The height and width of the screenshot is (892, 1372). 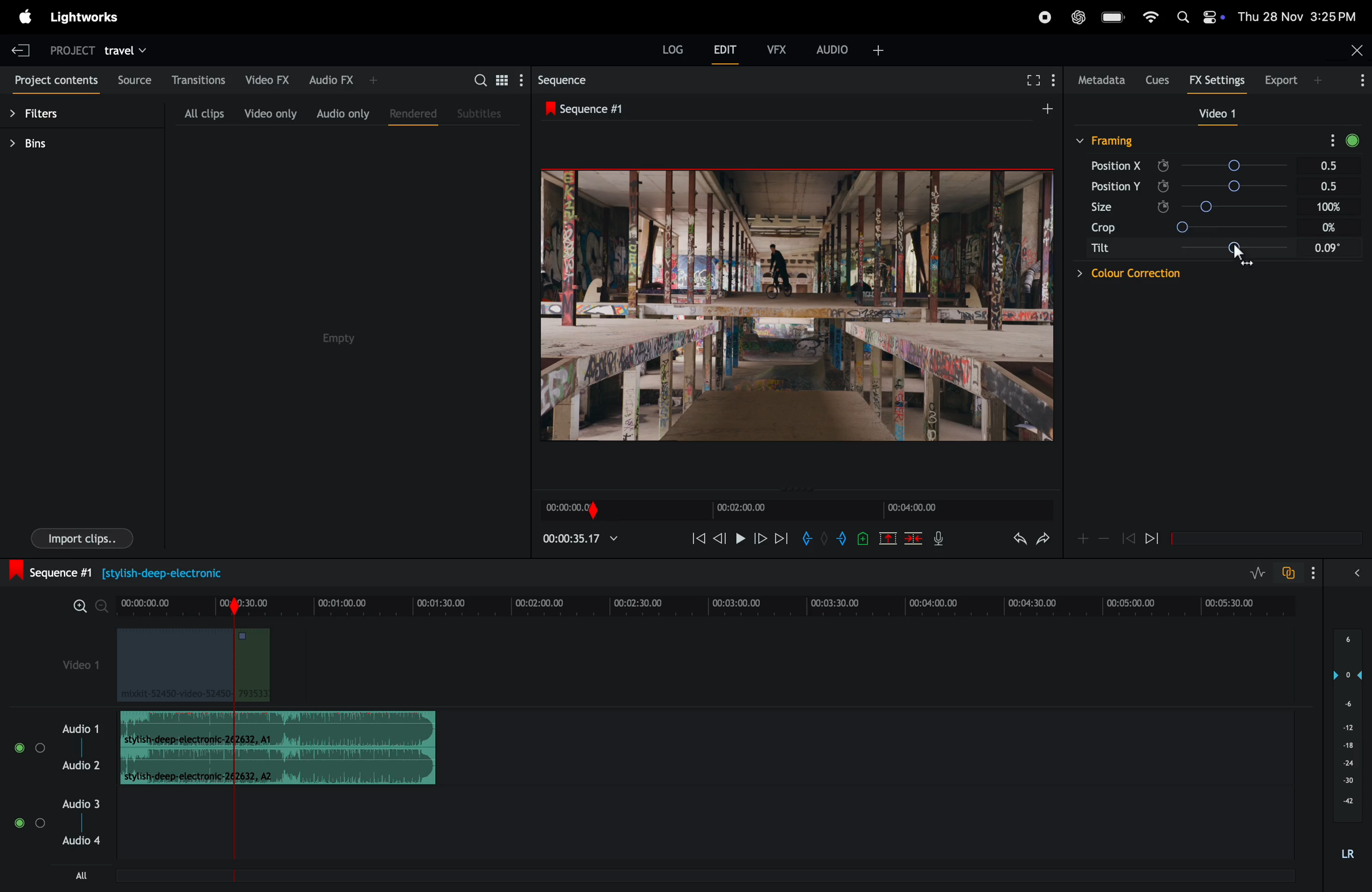 I want to click on empty, so click(x=337, y=336).